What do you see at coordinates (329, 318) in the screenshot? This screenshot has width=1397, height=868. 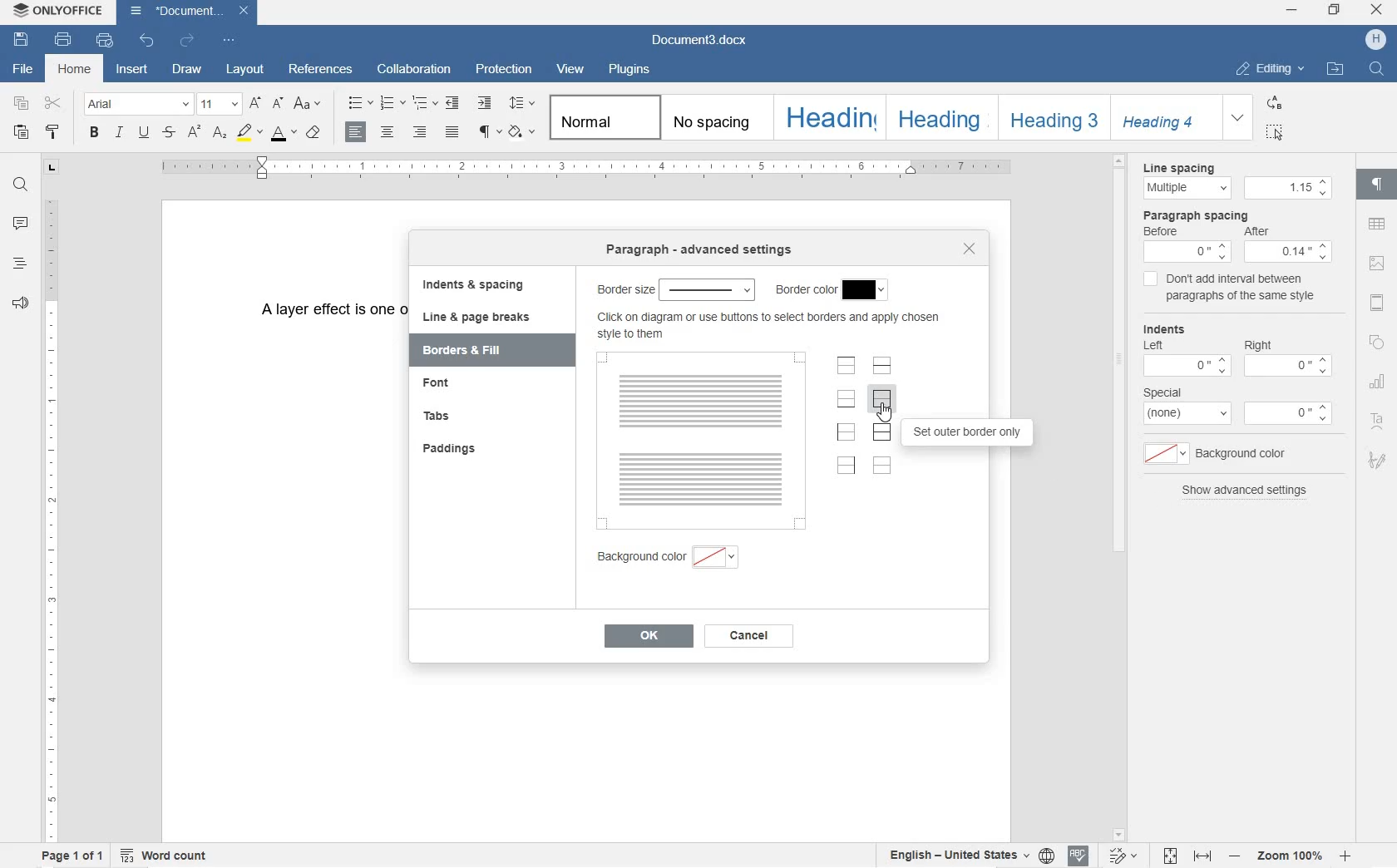 I see `TEXT WRITTEN BY USER` at bounding box center [329, 318].